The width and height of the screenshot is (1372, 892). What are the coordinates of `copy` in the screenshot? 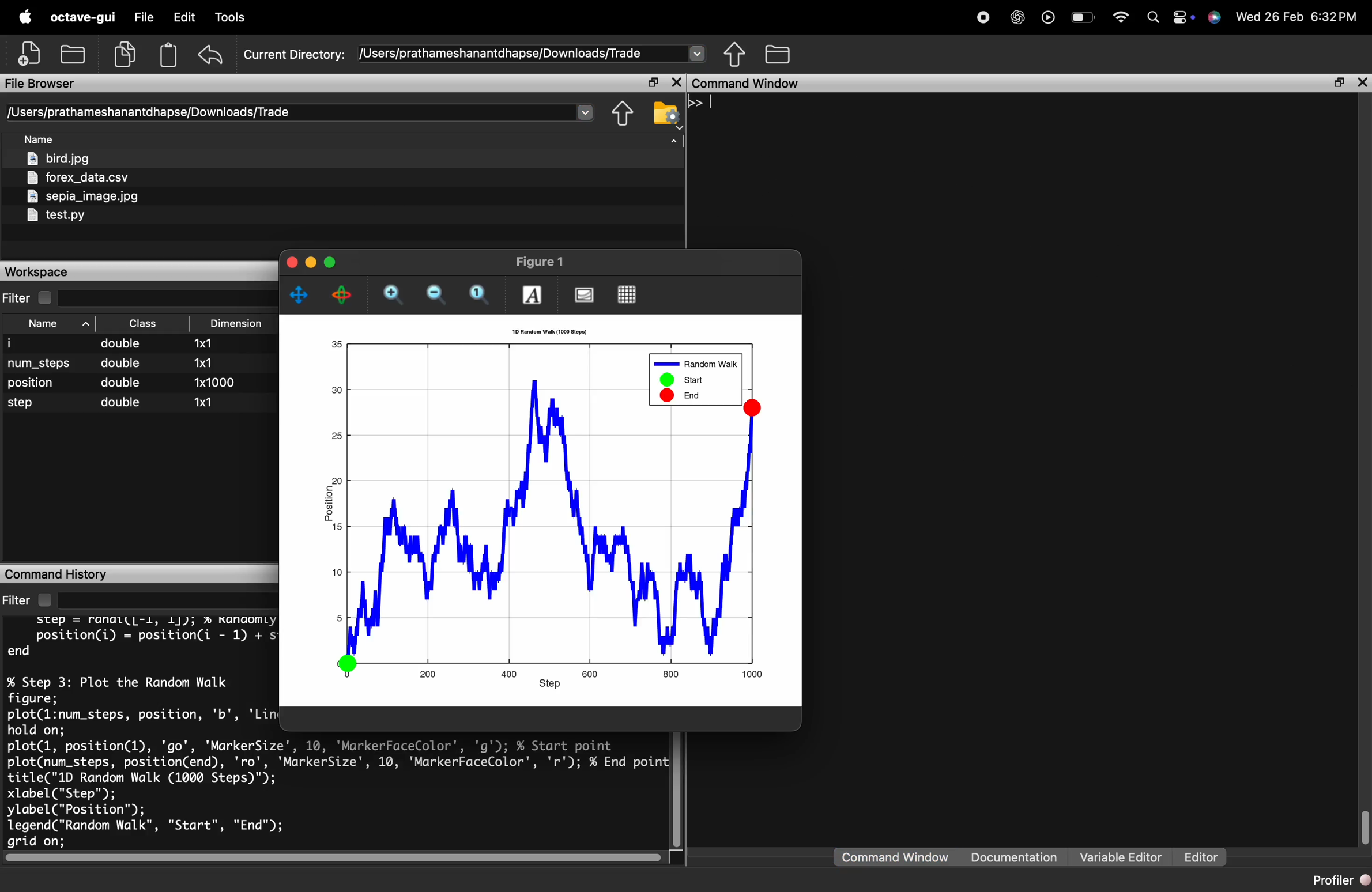 It's located at (127, 53).